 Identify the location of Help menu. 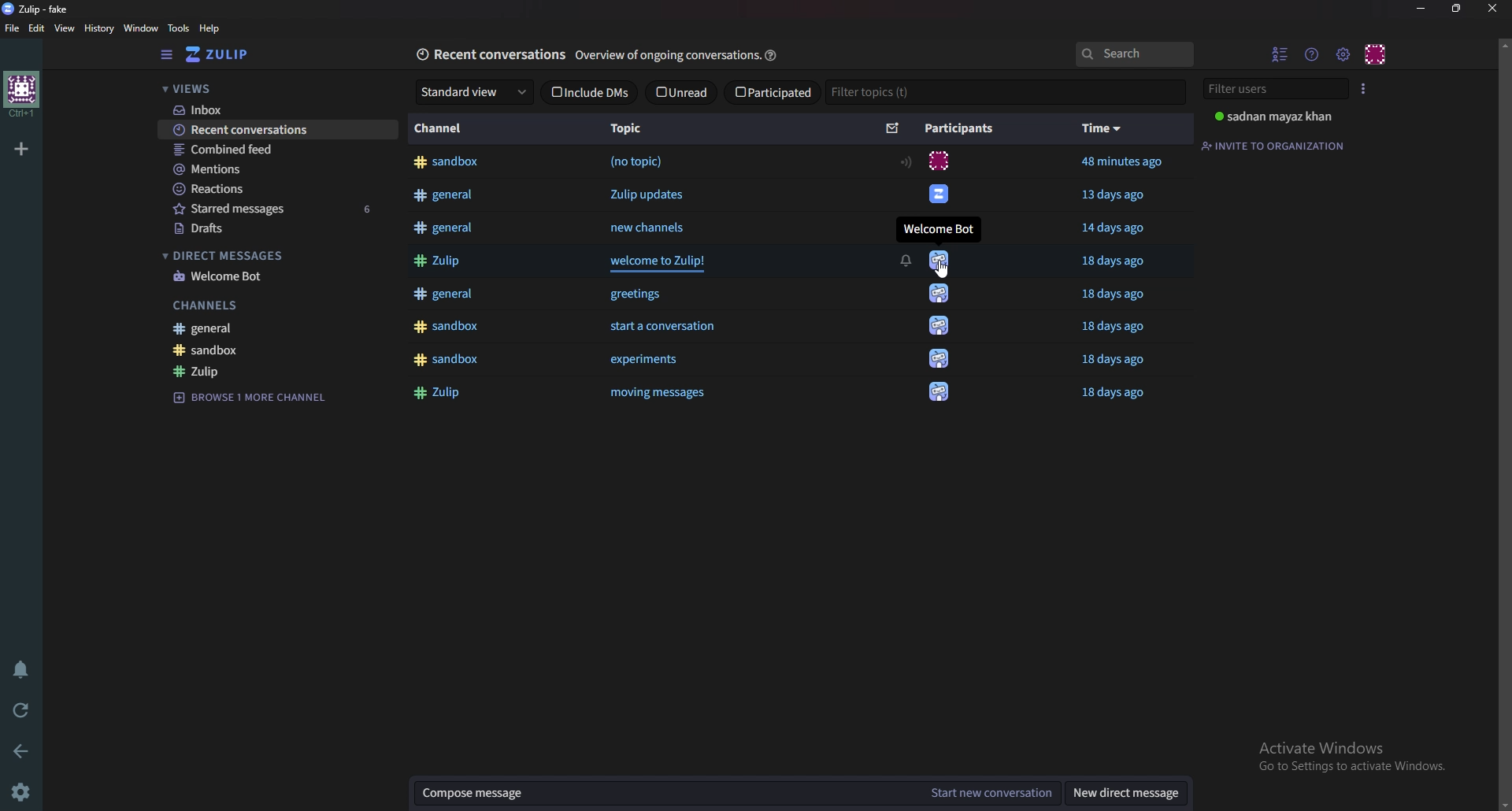
(1310, 54).